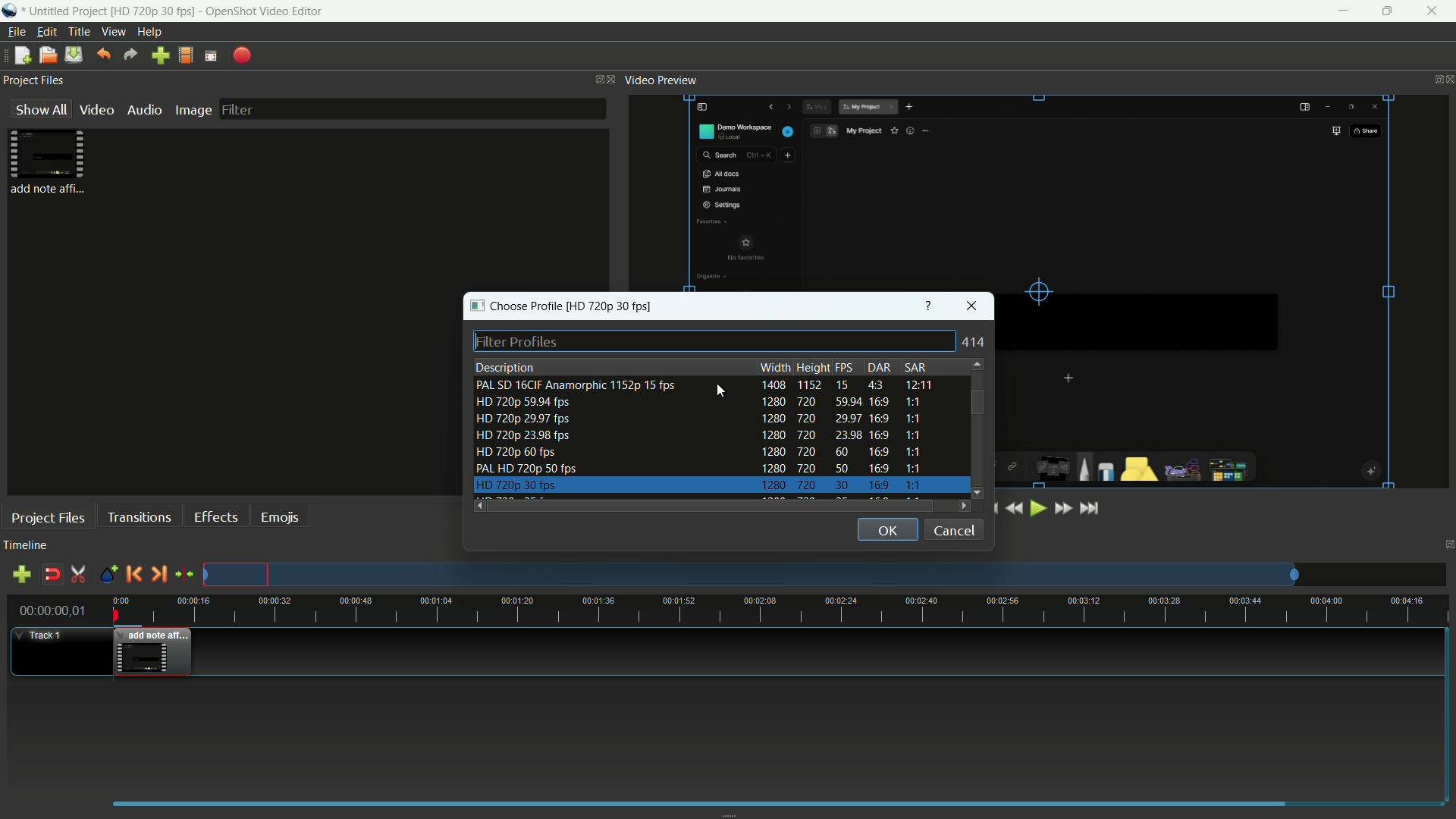 The image size is (1456, 819). Describe the element at coordinates (703, 420) in the screenshot. I see `profile-3` at that location.